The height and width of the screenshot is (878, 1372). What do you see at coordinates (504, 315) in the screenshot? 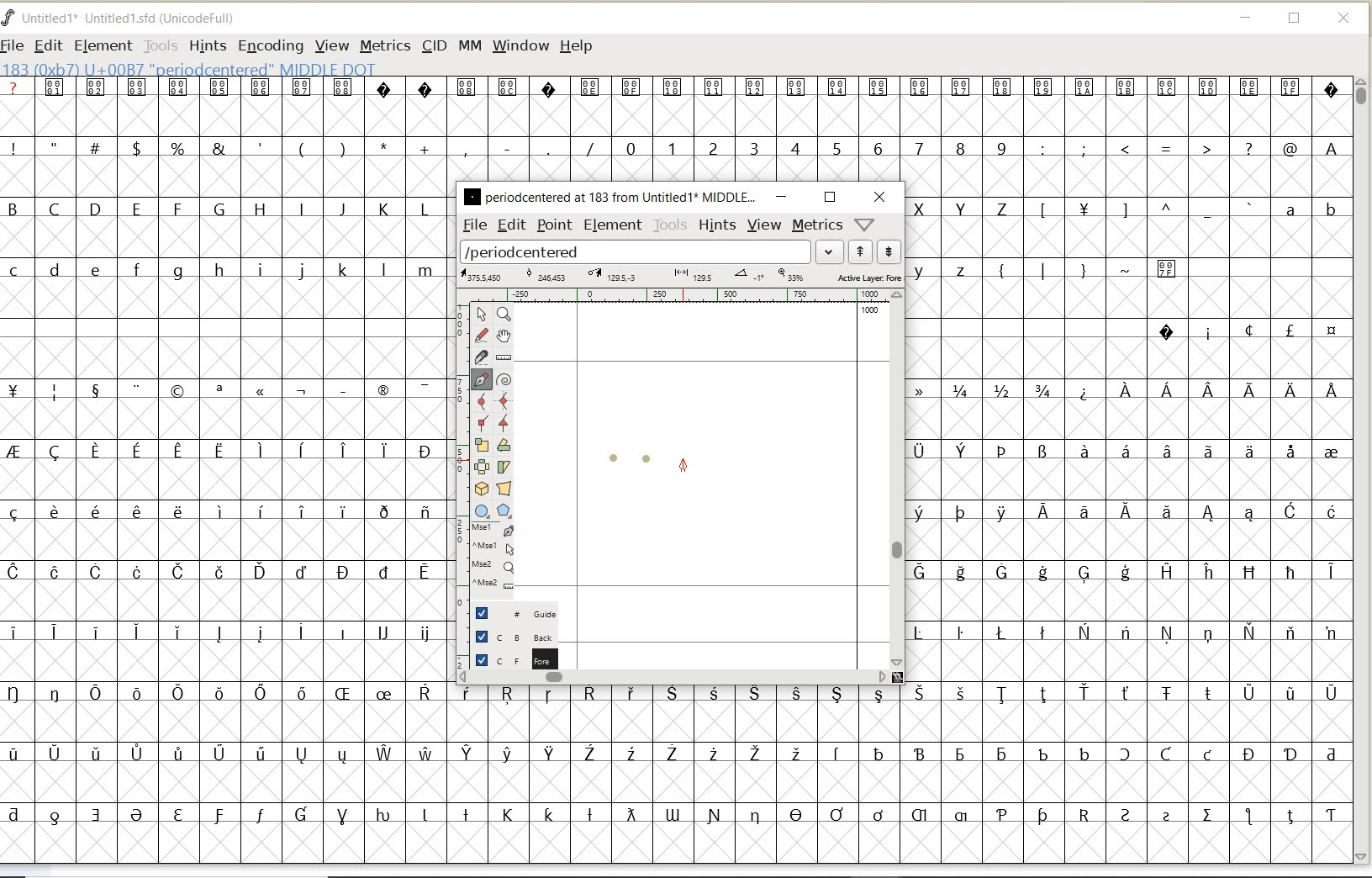
I see `Magnify` at bounding box center [504, 315].